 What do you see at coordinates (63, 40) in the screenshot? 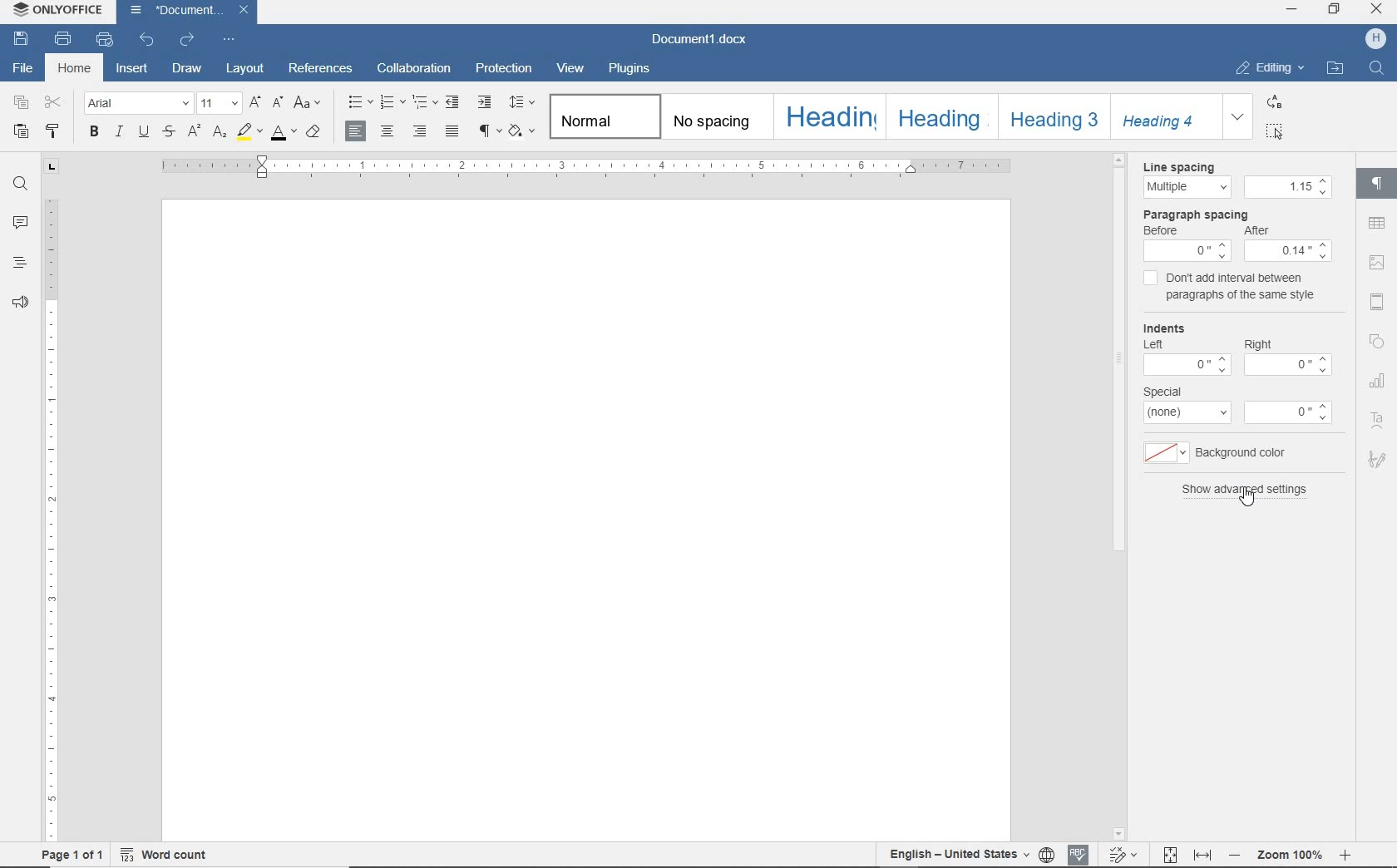
I see `print file` at bounding box center [63, 40].